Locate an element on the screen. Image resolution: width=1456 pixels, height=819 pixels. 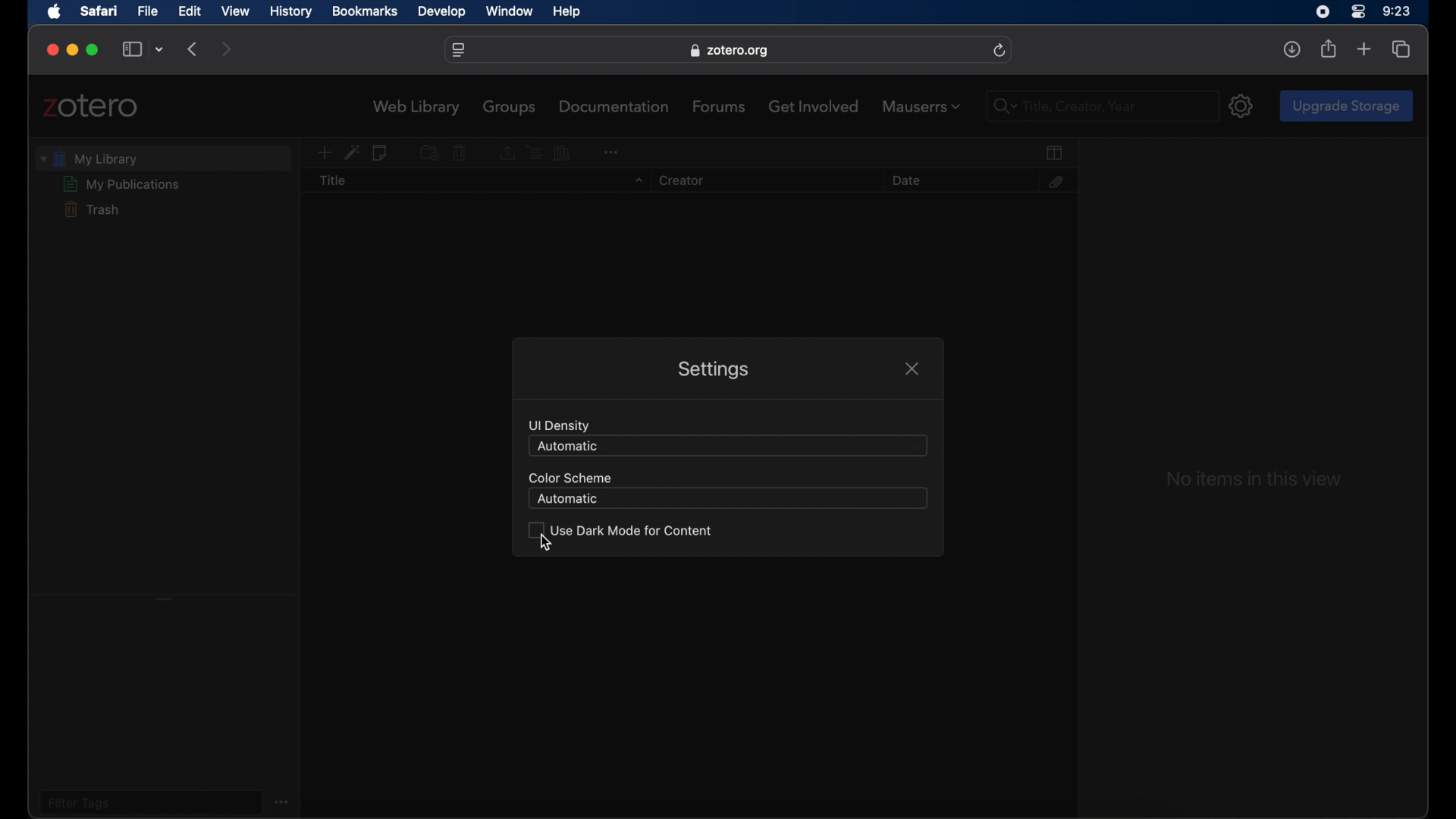
screen recorded is located at coordinates (1323, 11).